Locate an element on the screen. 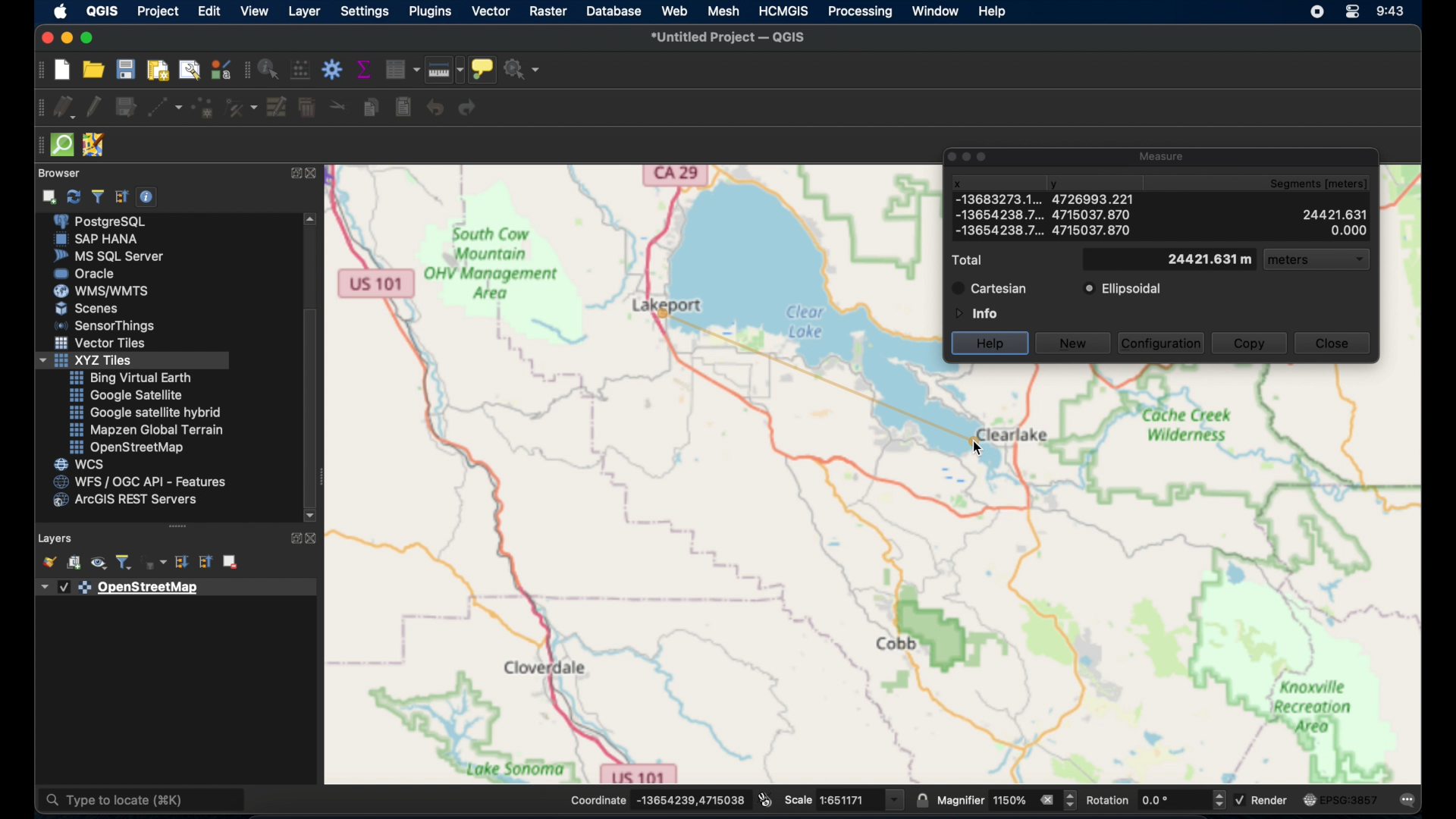  lock scale is located at coordinates (921, 801).